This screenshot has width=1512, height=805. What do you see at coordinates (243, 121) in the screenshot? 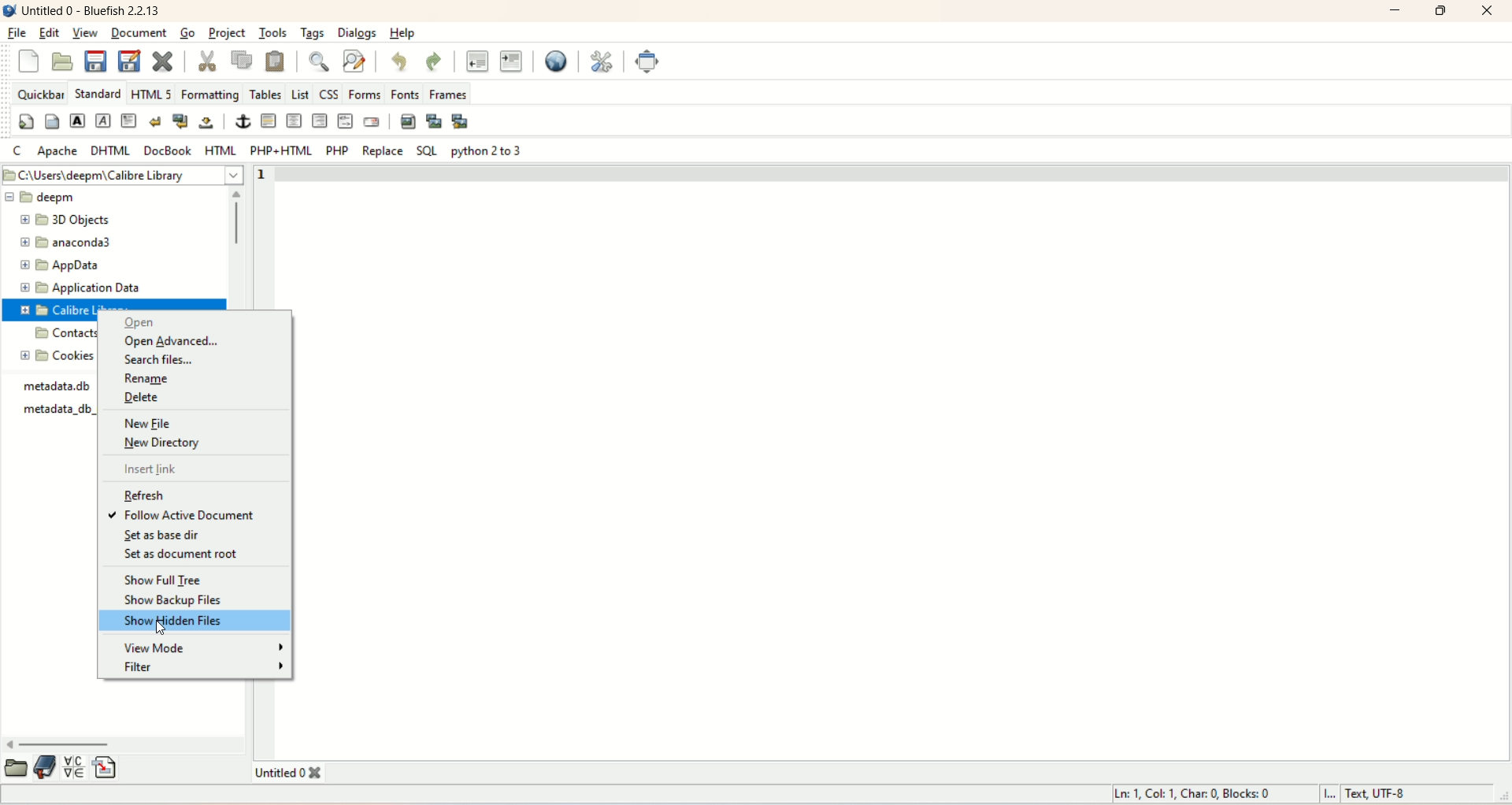
I see `anchor/hyperlink` at bounding box center [243, 121].